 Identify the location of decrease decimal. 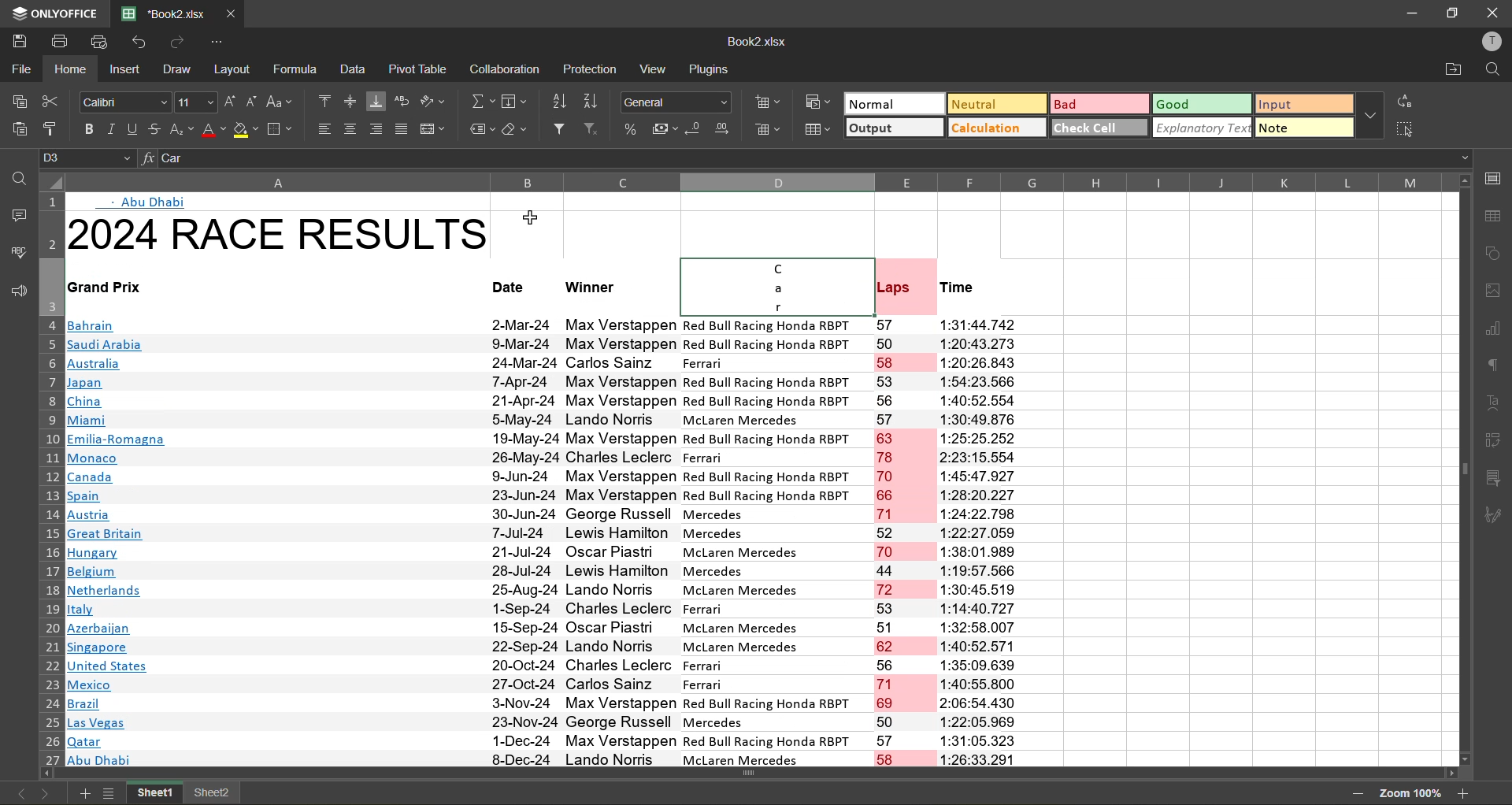
(695, 130).